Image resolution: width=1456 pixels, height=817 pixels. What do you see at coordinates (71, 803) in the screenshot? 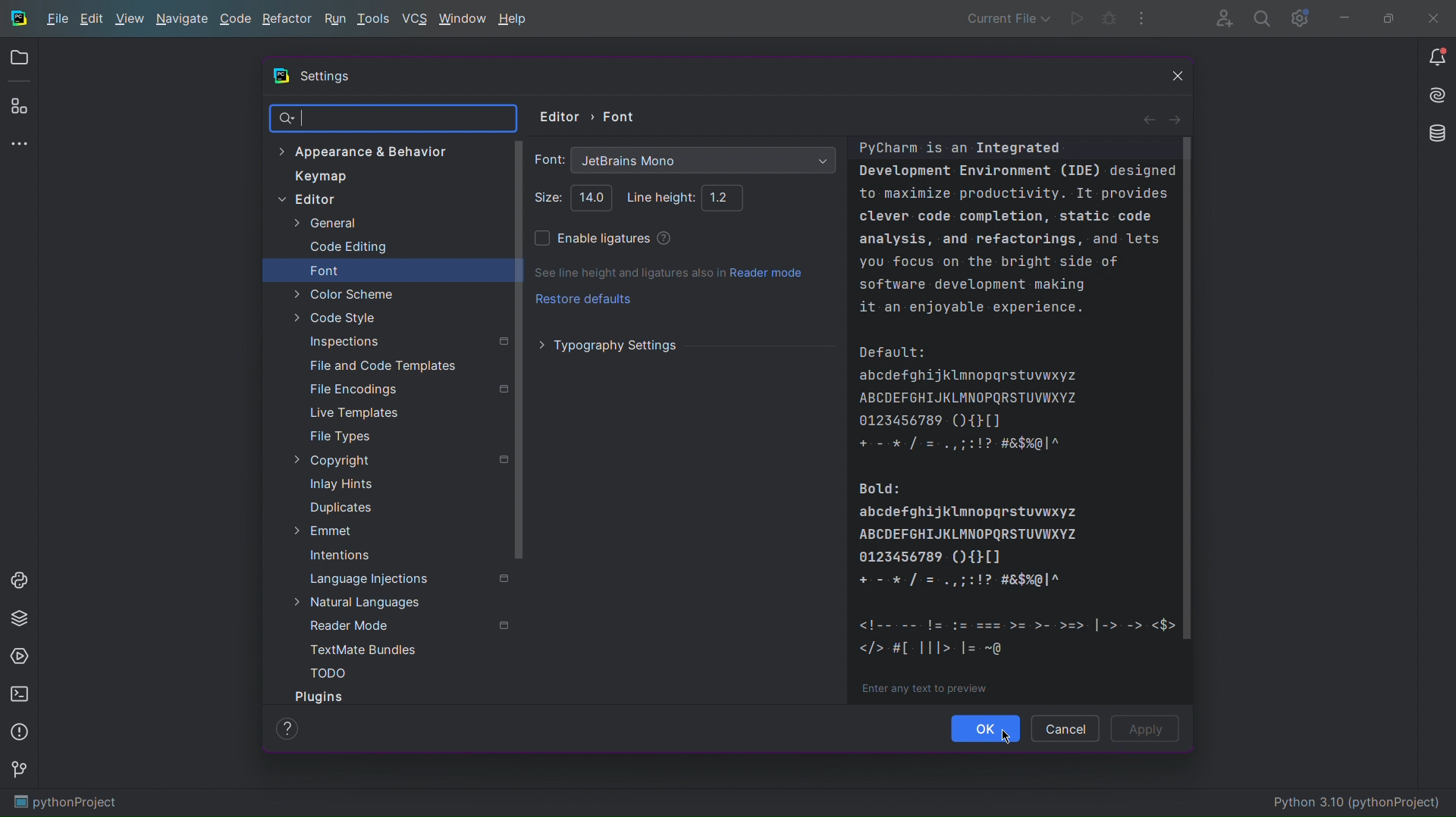
I see `pythonProject` at bounding box center [71, 803].